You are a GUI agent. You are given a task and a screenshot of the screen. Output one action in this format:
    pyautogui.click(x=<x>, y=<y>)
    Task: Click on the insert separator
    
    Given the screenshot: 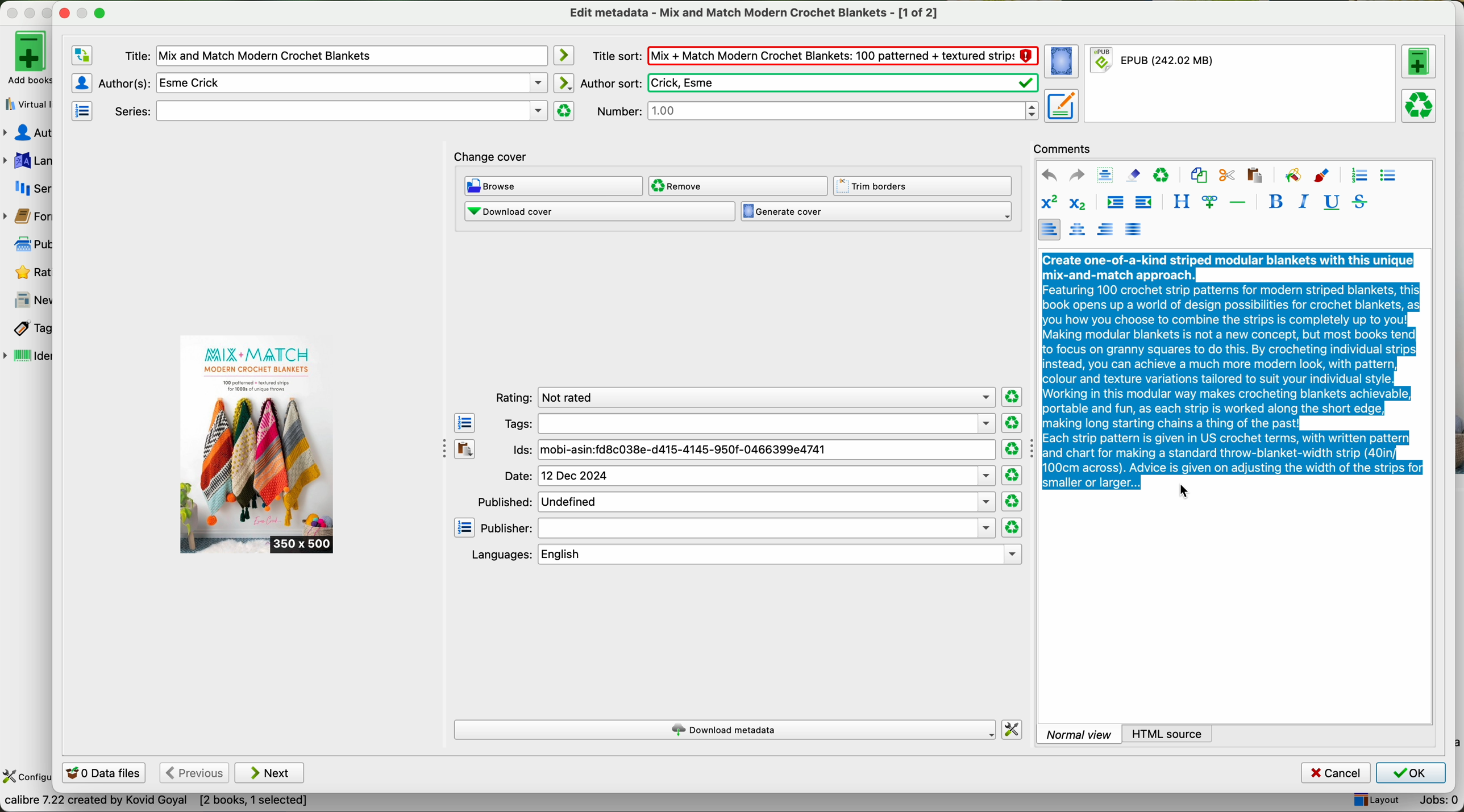 What is the action you would take?
    pyautogui.click(x=1239, y=201)
    